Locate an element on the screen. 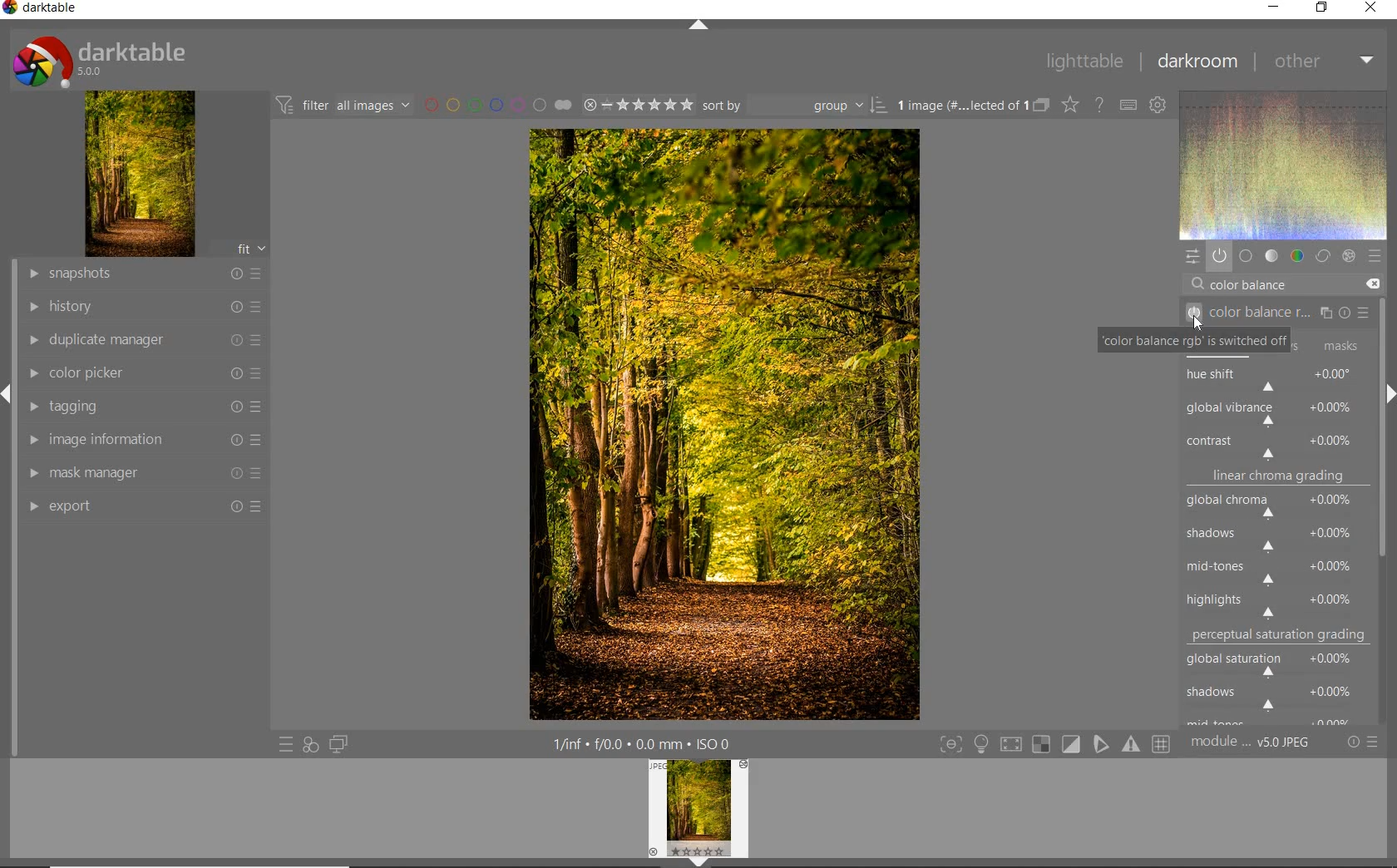  define keyboard shortcut is located at coordinates (1128, 106).